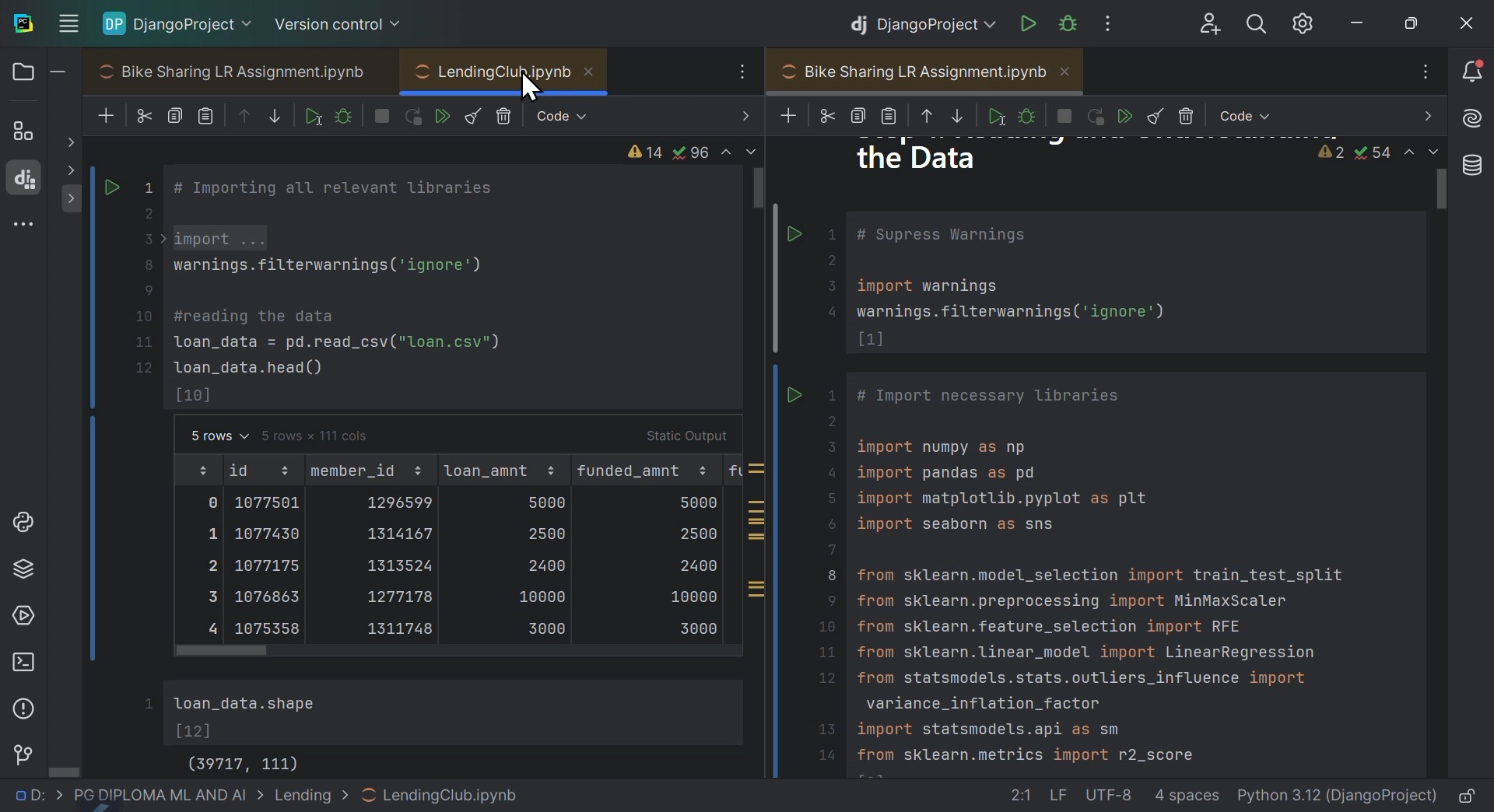 The width and height of the screenshot is (1494, 812). Describe the element at coordinates (922, 70) in the screenshot. I see `Bike Sharing LR Assignment.ipynb` at that location.